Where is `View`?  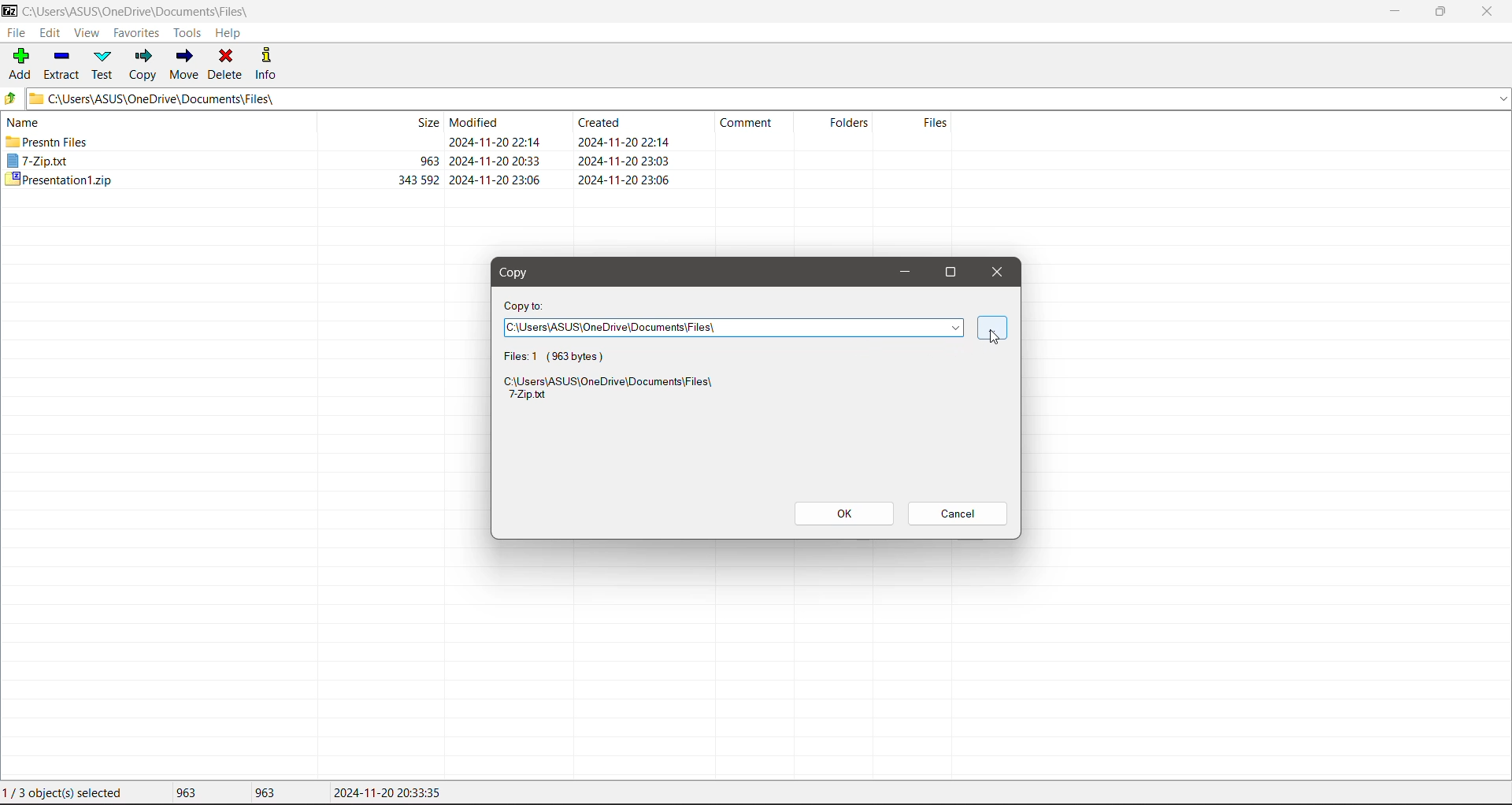 View is located at coordinates (87, 34).